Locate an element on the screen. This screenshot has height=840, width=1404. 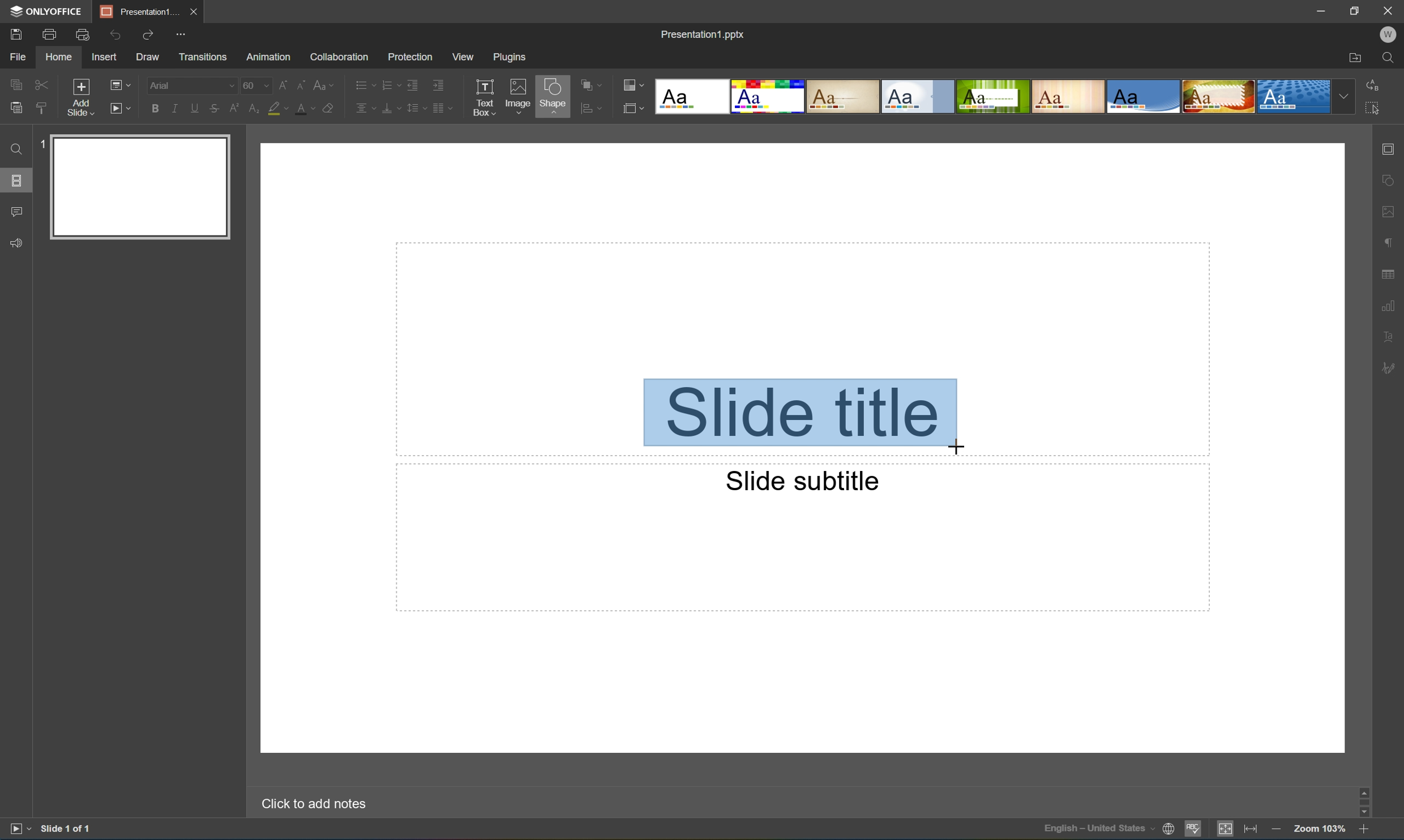
Click to add notes is located at coordinates (310, 804).